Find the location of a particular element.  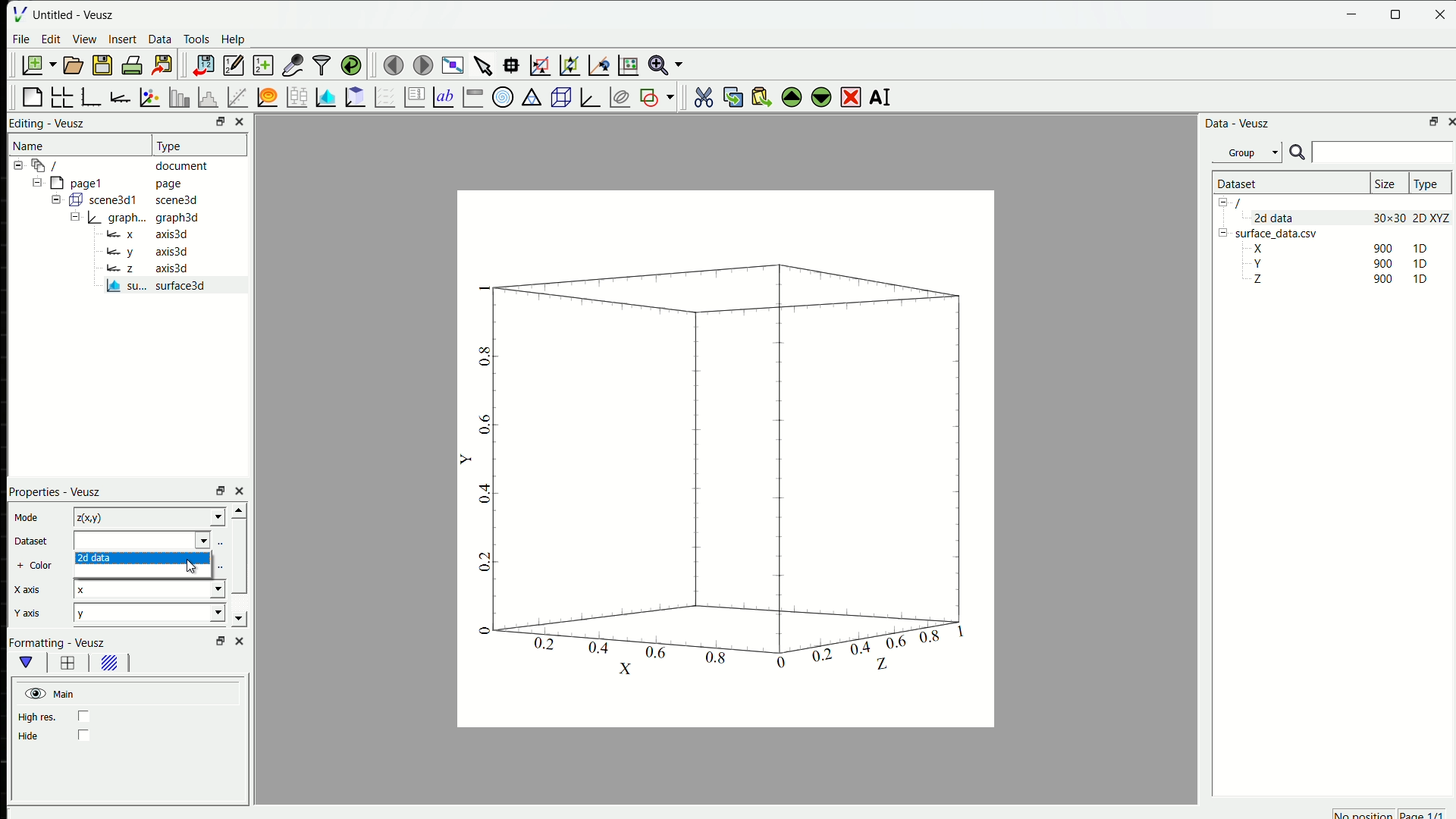

Mode is located at coordinates (27, 516).